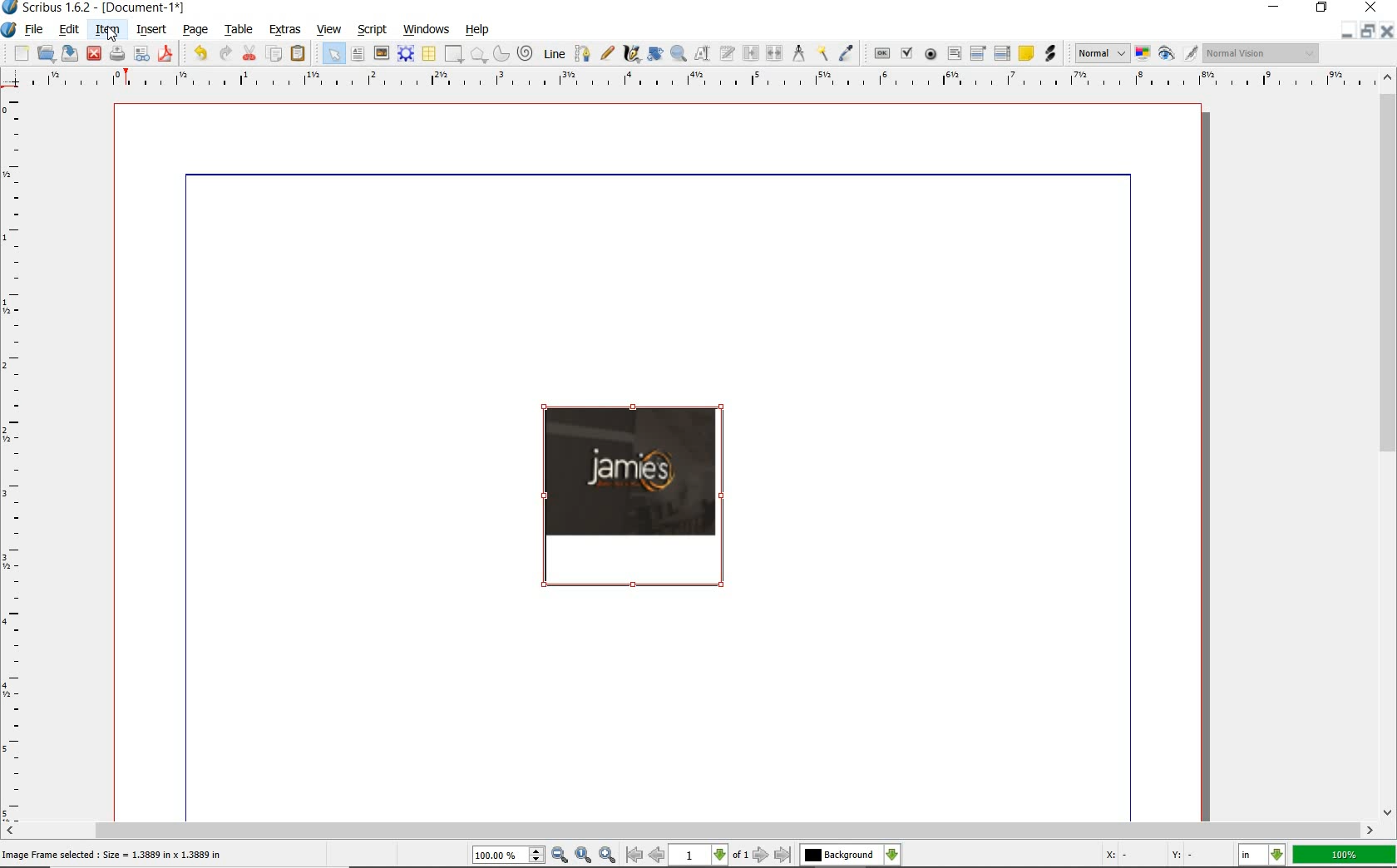  What do you see at coordinates (848, 52) in the screenshot?
I see `eye dropper` at bounding box center [848, 52].